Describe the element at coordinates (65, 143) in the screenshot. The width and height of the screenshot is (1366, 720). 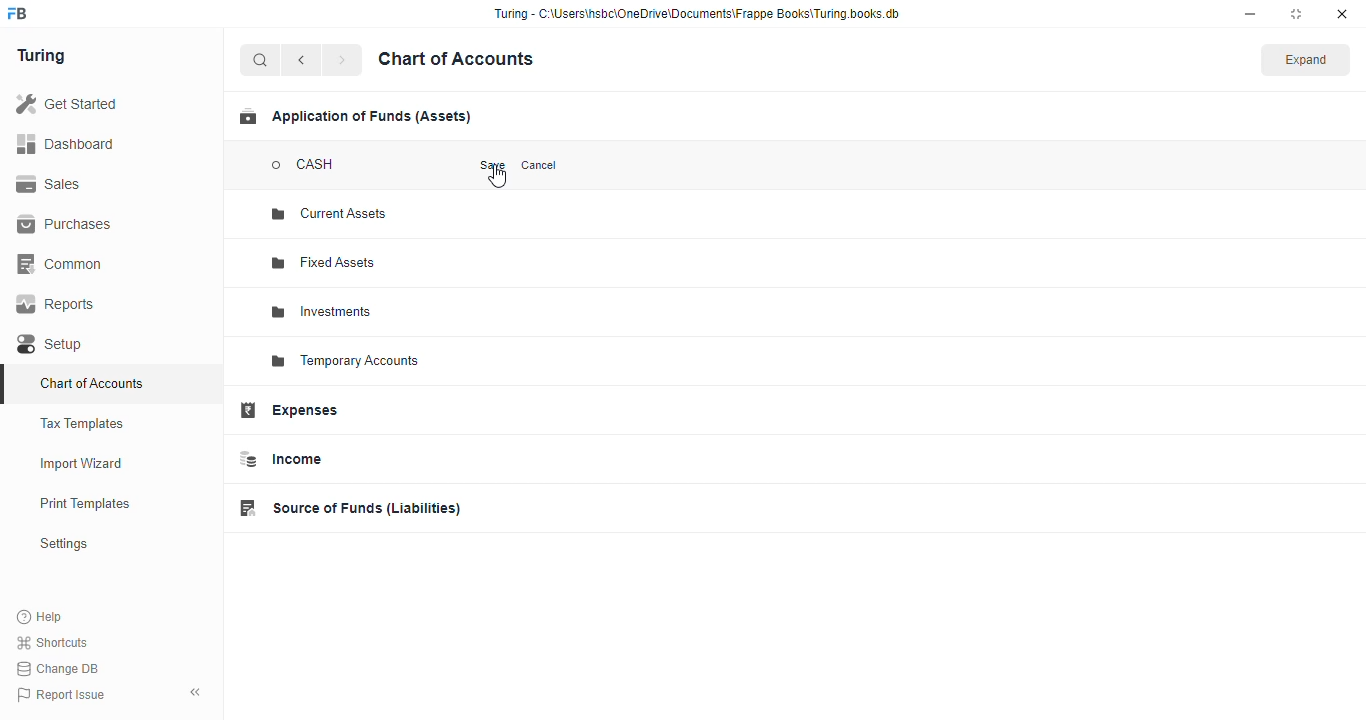
I see `dashboard` at that location.